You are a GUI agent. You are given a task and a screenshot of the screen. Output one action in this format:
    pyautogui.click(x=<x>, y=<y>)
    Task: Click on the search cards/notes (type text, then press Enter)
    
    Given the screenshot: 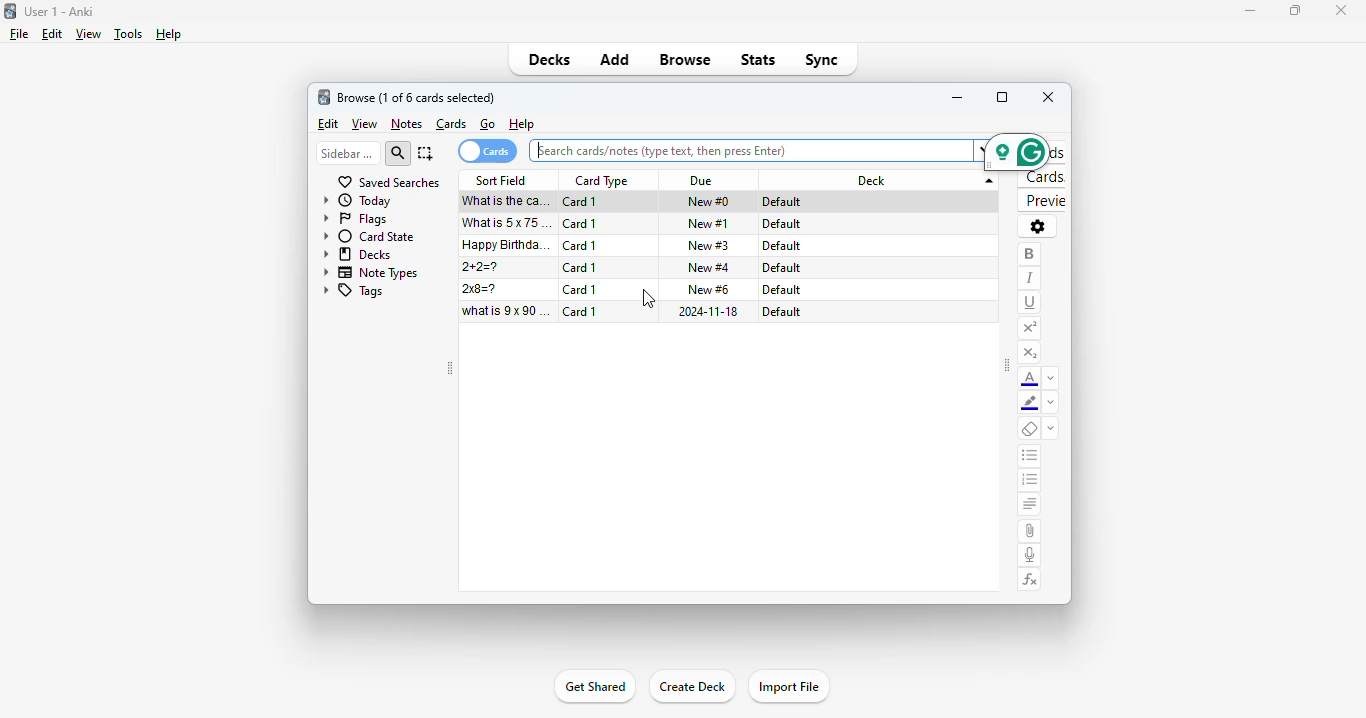 What is the action you would take?
    pyautogui.click(x=665, y=152)
    